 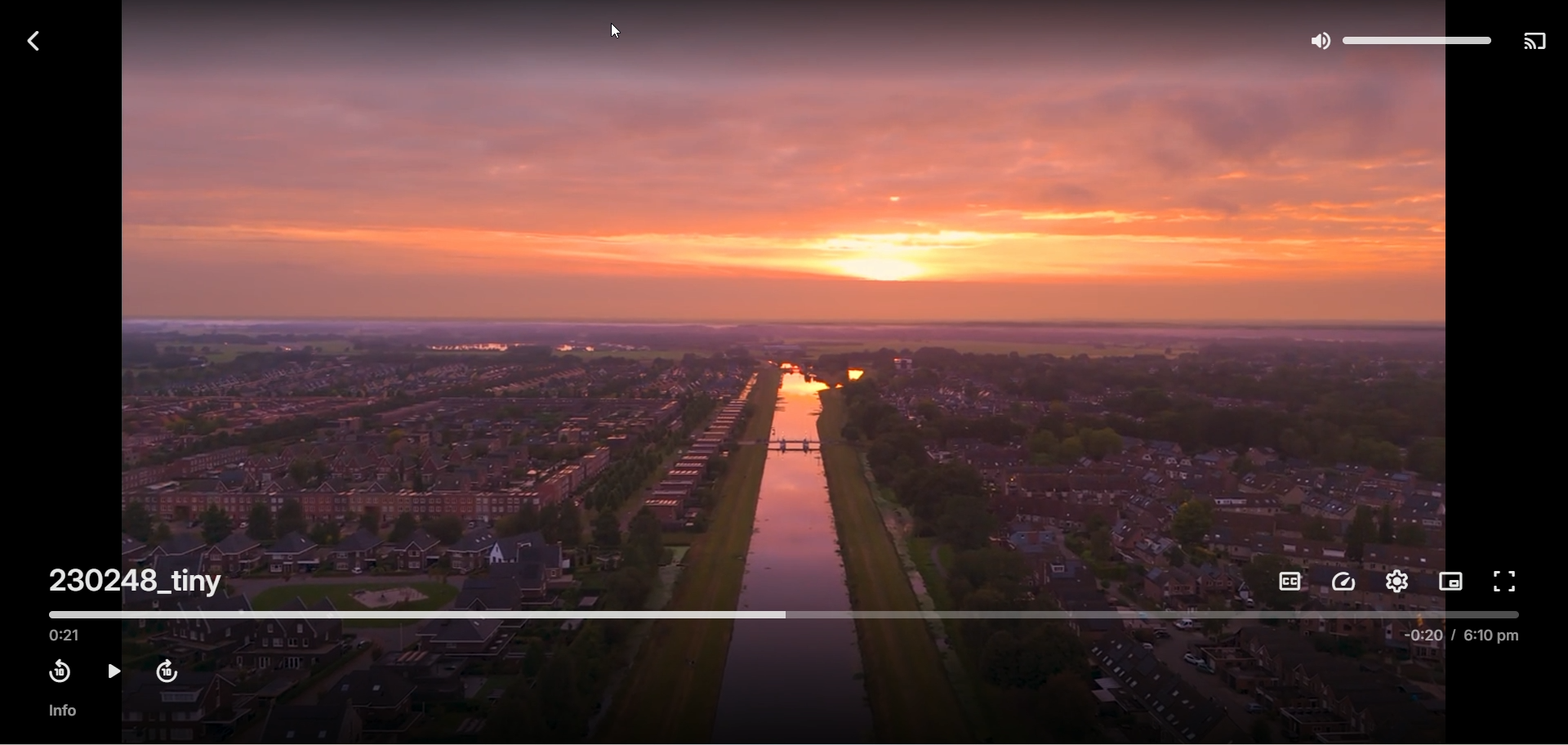 I want to click on 230248_tiny, so click(x=140, y=581).